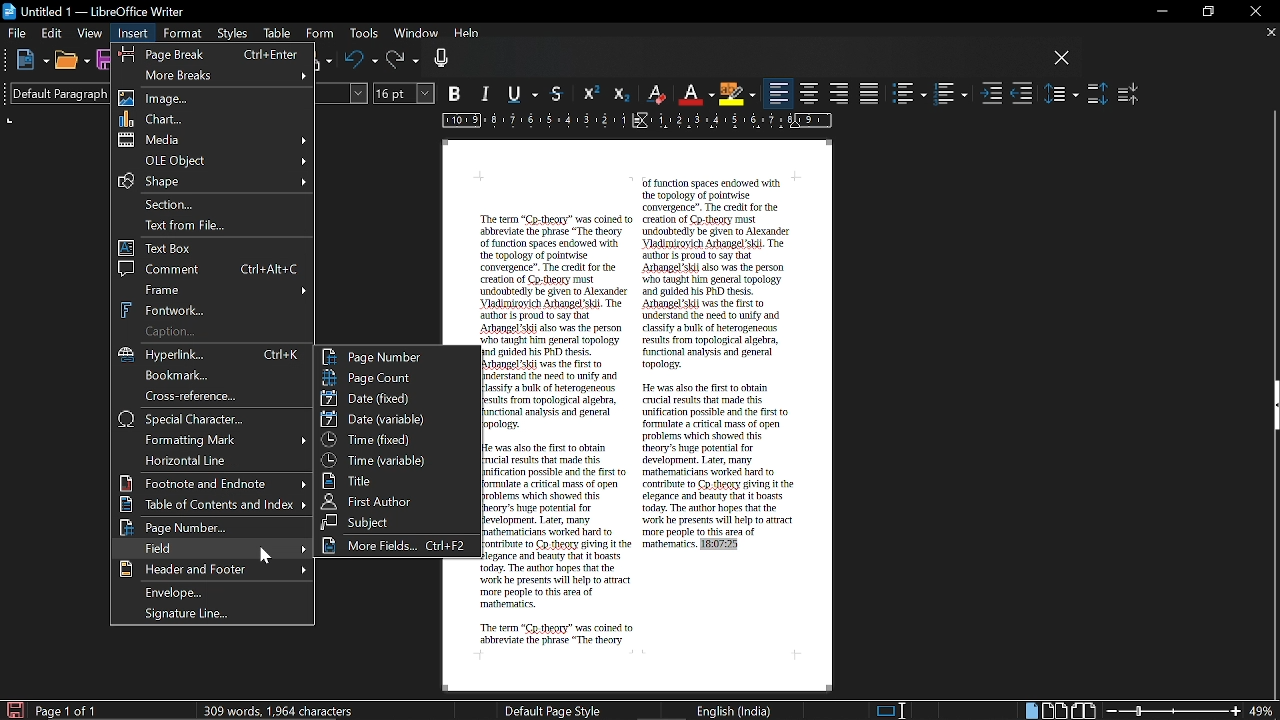 This screenshot has height=720, width=1280. What do you see at coordinates (1270, 32) in the screenshot?
I see `Close current tab` at bounding box center [1270, 32].